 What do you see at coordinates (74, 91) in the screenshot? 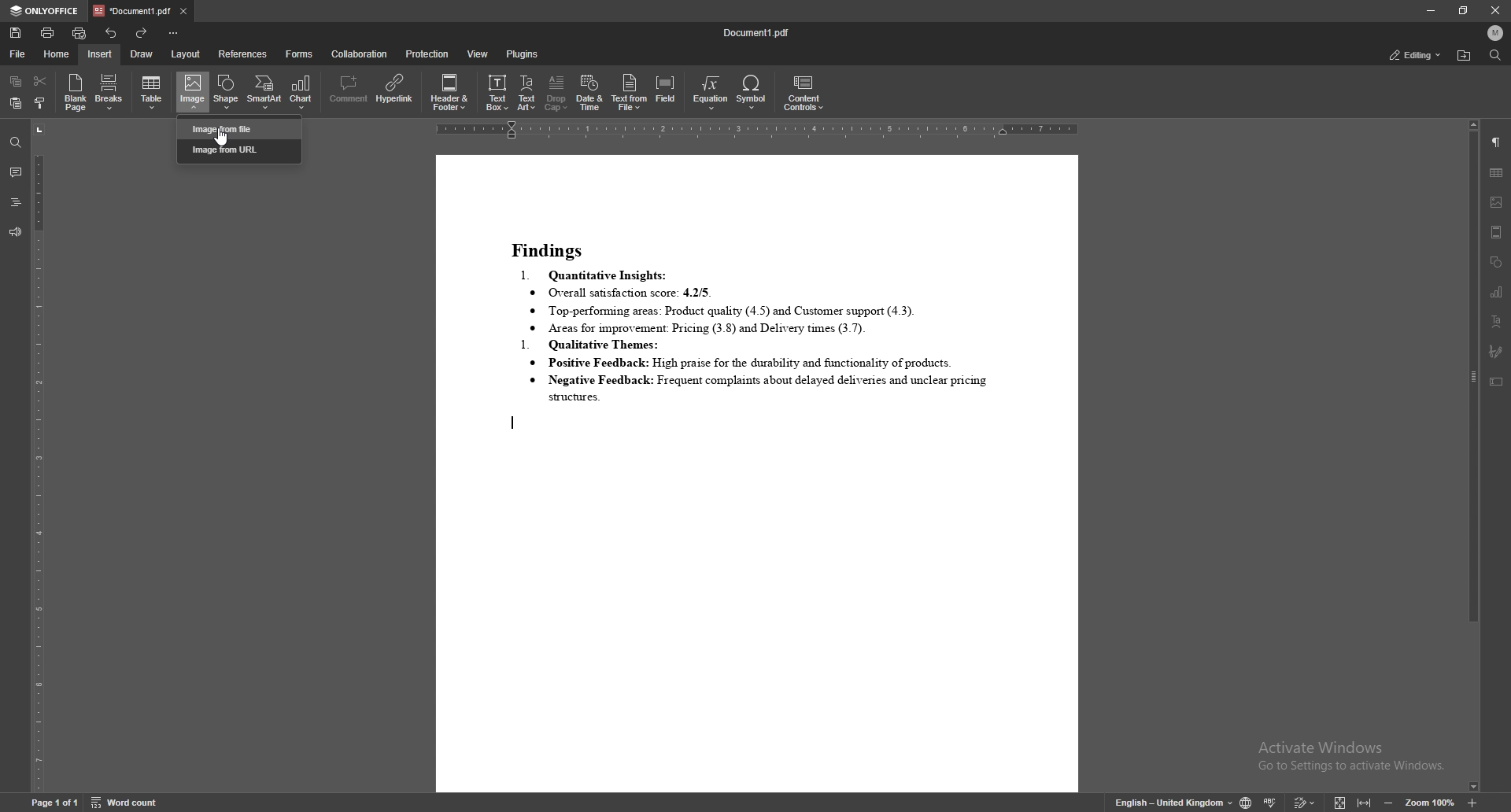
I see `blank page` at bounding box center [74, 91].